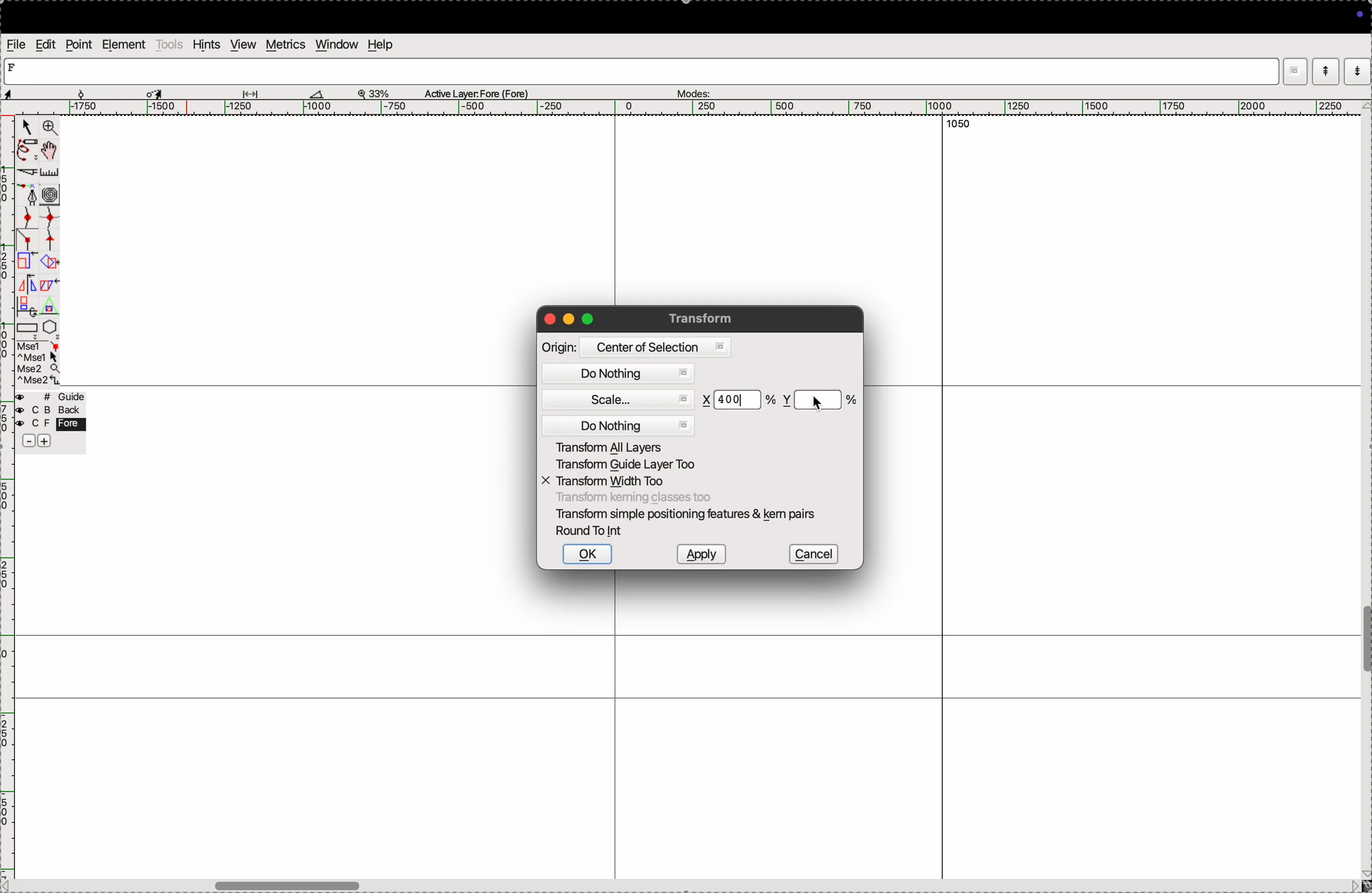 This screenshot has height=893, width=1372. I want to click on add, so click(46, 443).